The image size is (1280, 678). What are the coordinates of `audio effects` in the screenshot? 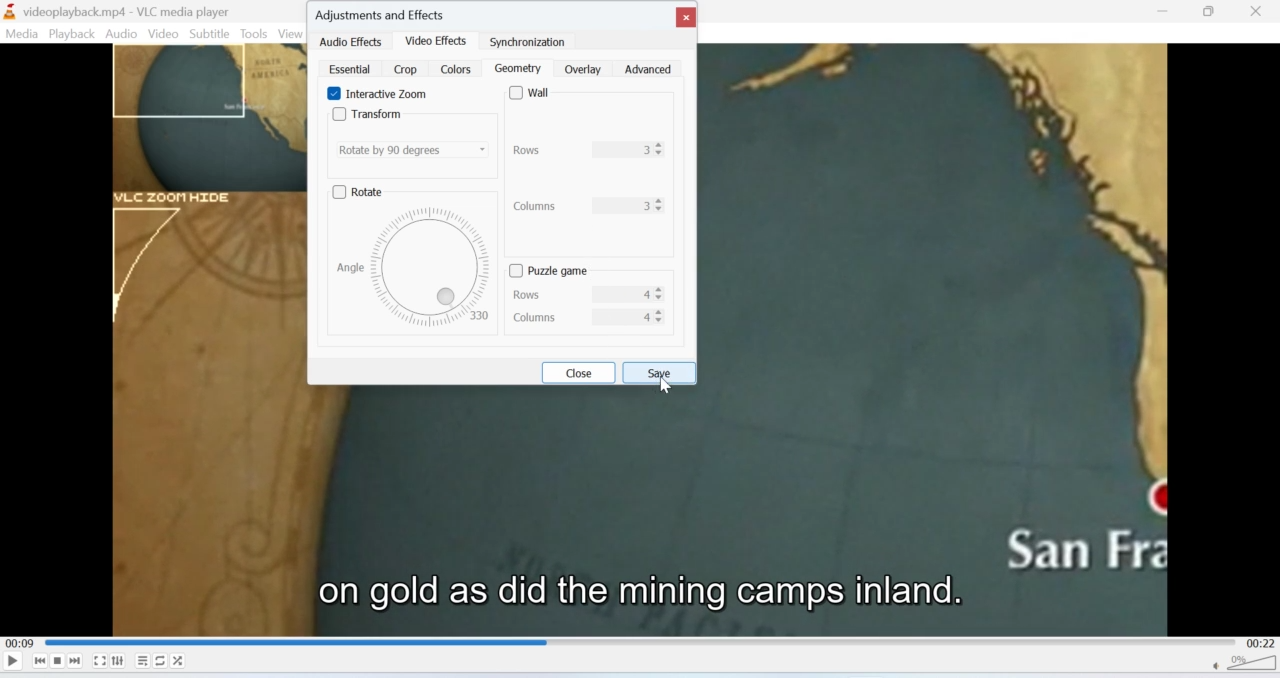 It's located at (351, 43).